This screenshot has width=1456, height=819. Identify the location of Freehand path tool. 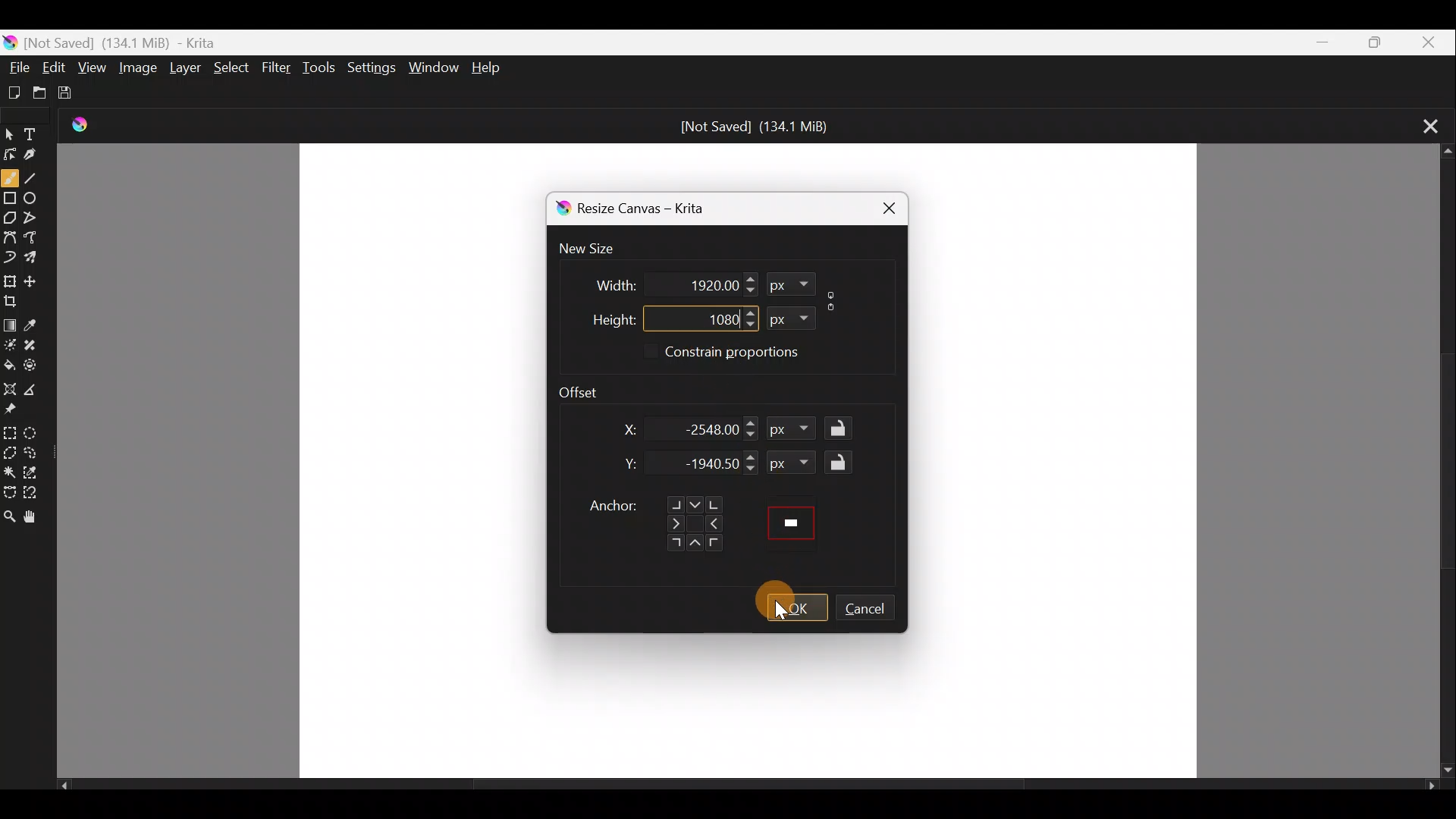
(35, 236).